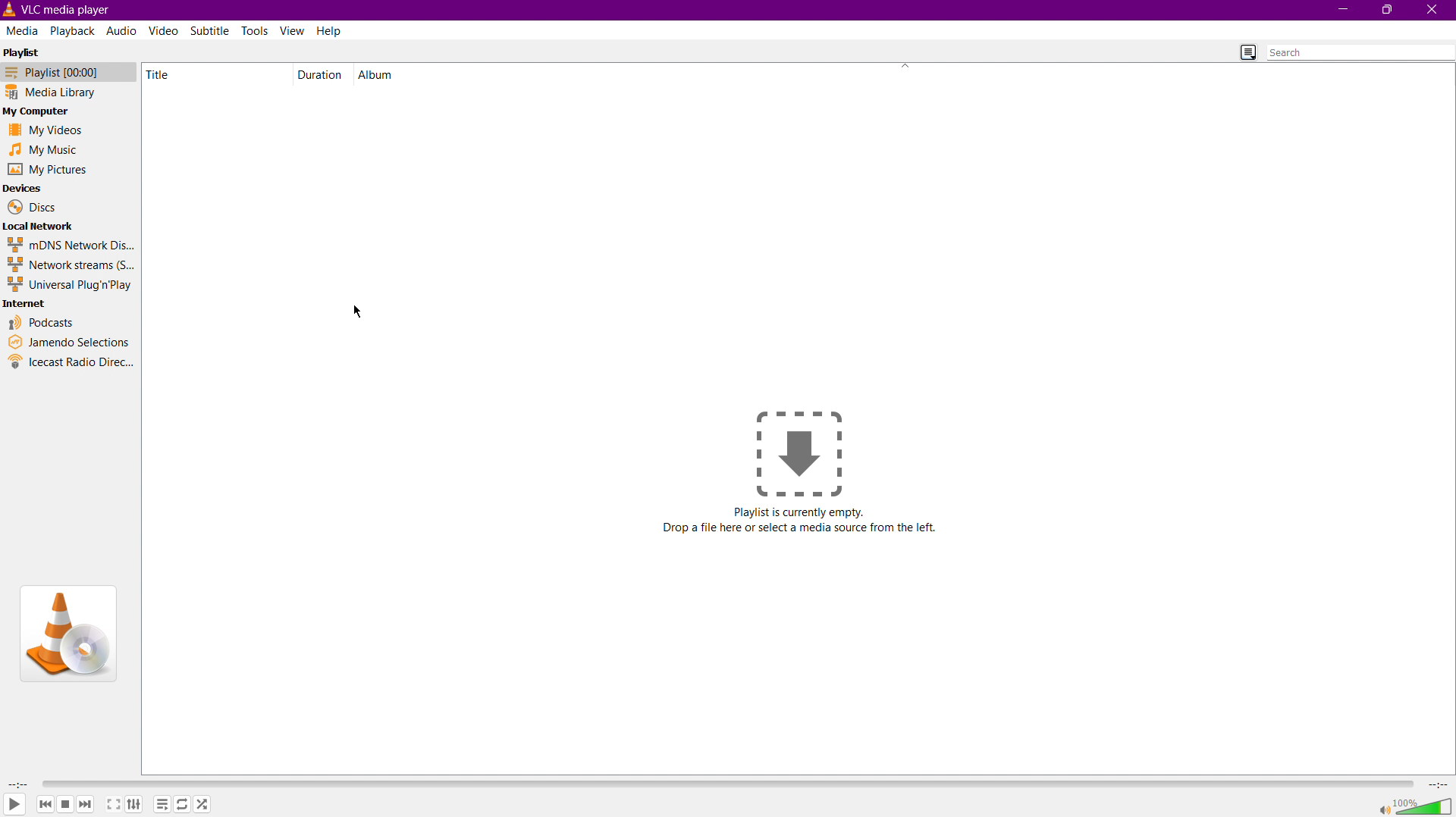 Image resolution: width=1456 pixels, height=817 pixels. Describe the element at coordinates (1341, 10) in the screenshot. I see `Minimize` at that location.